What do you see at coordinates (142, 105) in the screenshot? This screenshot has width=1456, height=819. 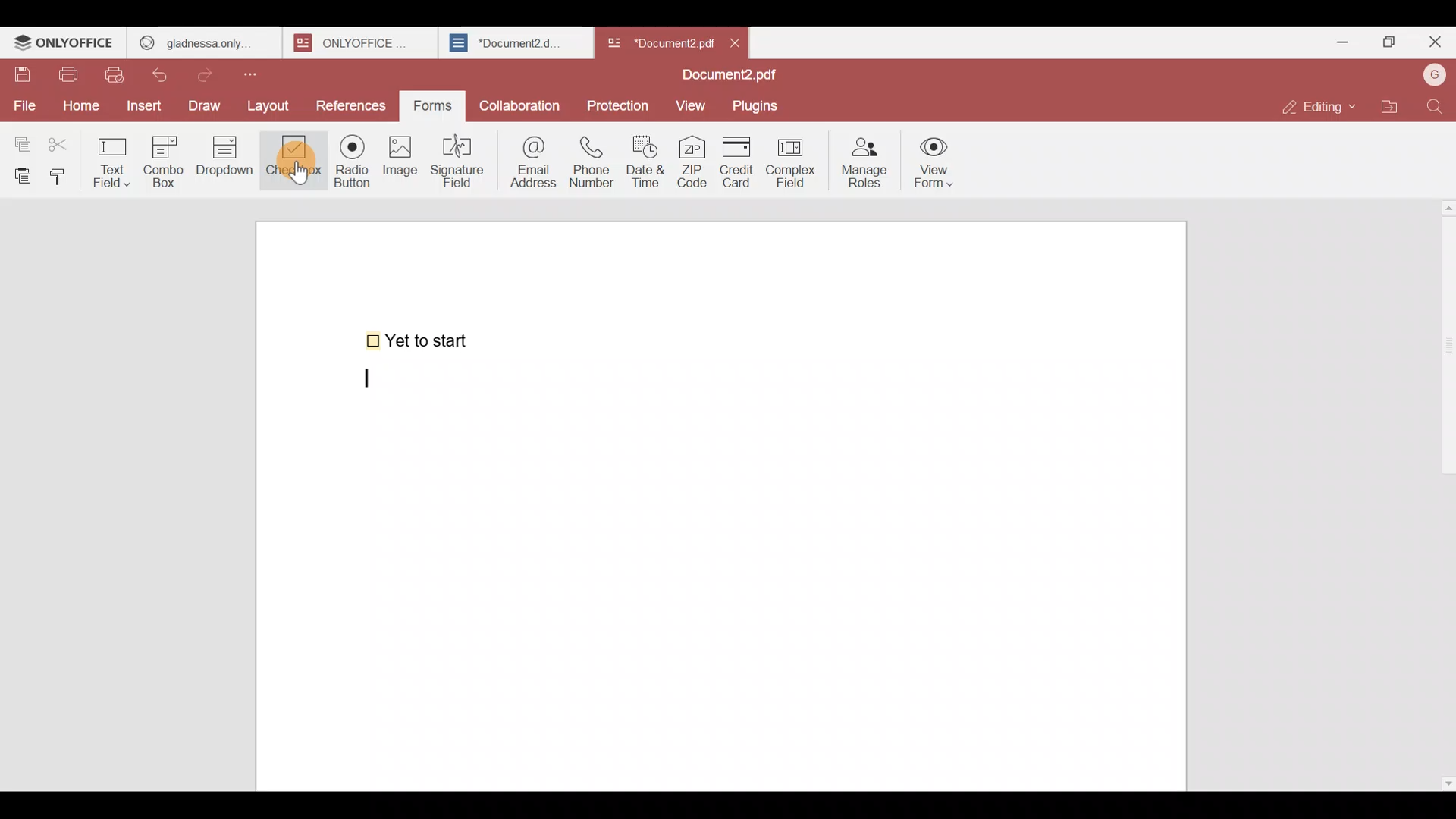 I see `Insert` at bounding box center [142, 105].